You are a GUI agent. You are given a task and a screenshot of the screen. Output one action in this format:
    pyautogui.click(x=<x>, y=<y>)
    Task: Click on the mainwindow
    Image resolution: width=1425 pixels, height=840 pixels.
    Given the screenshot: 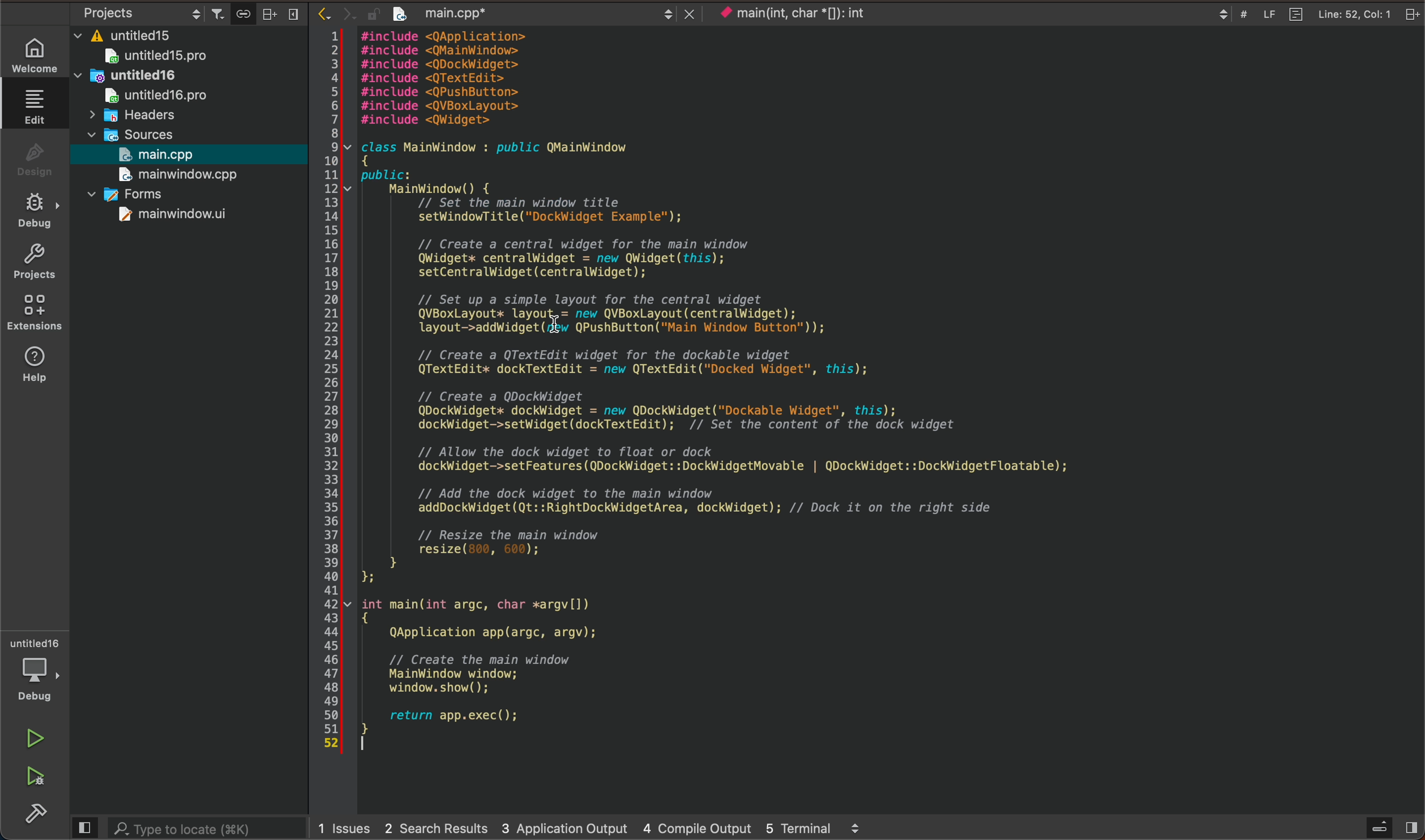 What is the action you would take?
    pyautogui.click(x=172, y=216)
    